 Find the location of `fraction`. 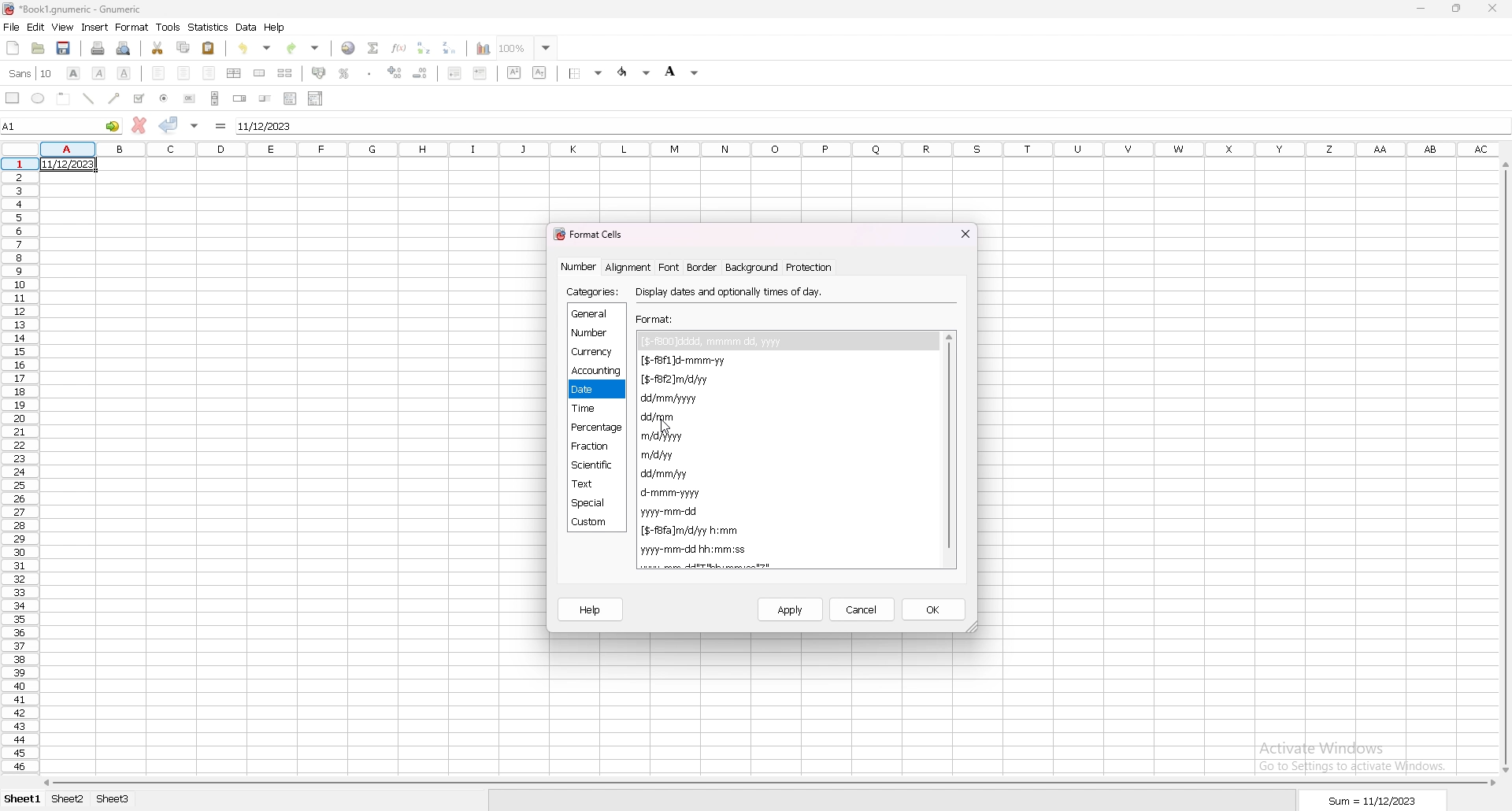

fraction is located at coordinates (593, 446).